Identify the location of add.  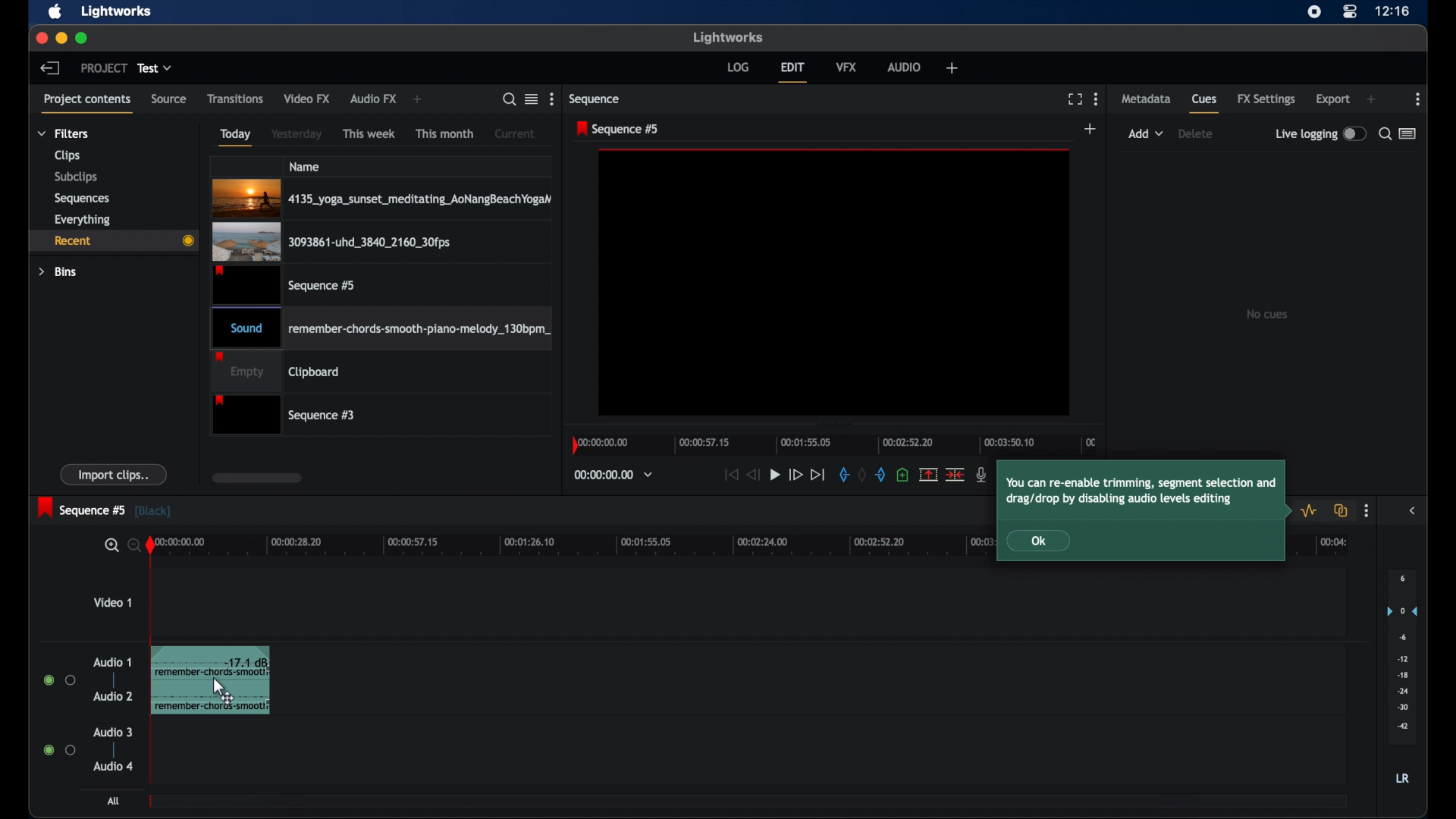
(1091, 130).